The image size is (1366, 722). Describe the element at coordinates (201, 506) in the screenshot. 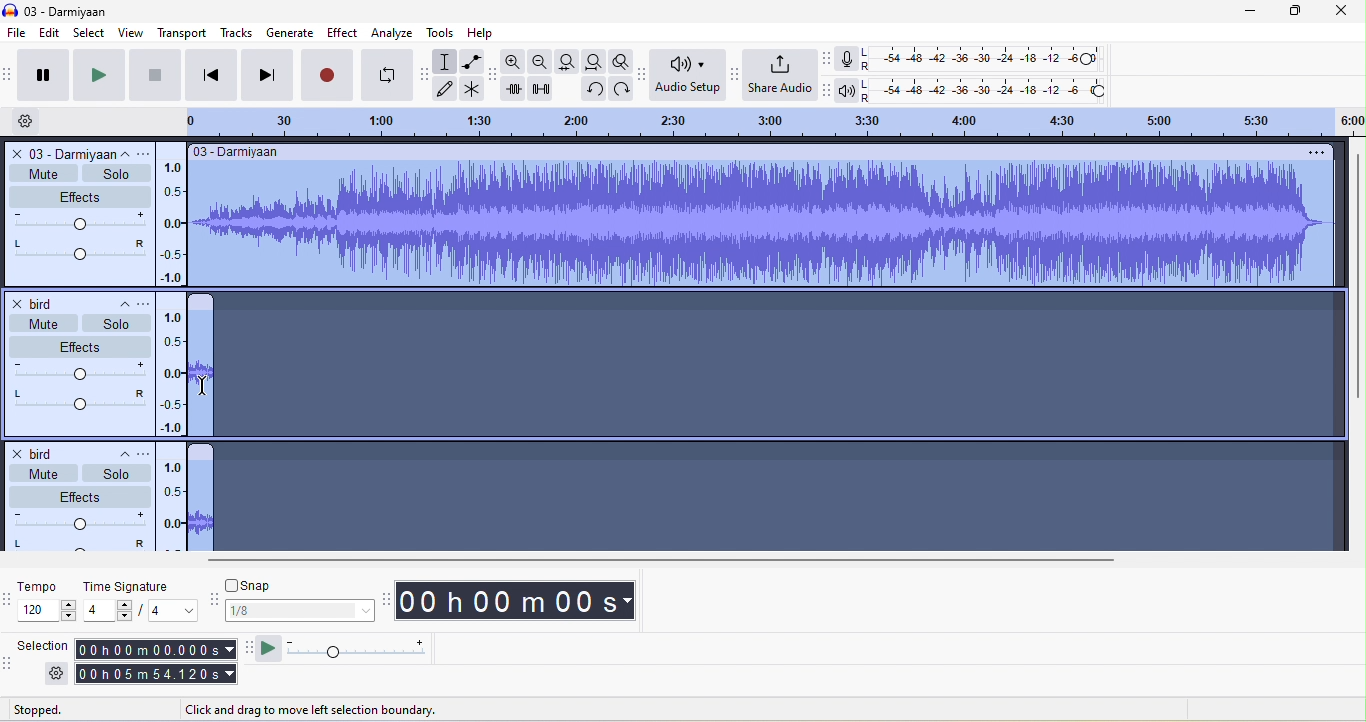

I see `record audio` at that location.